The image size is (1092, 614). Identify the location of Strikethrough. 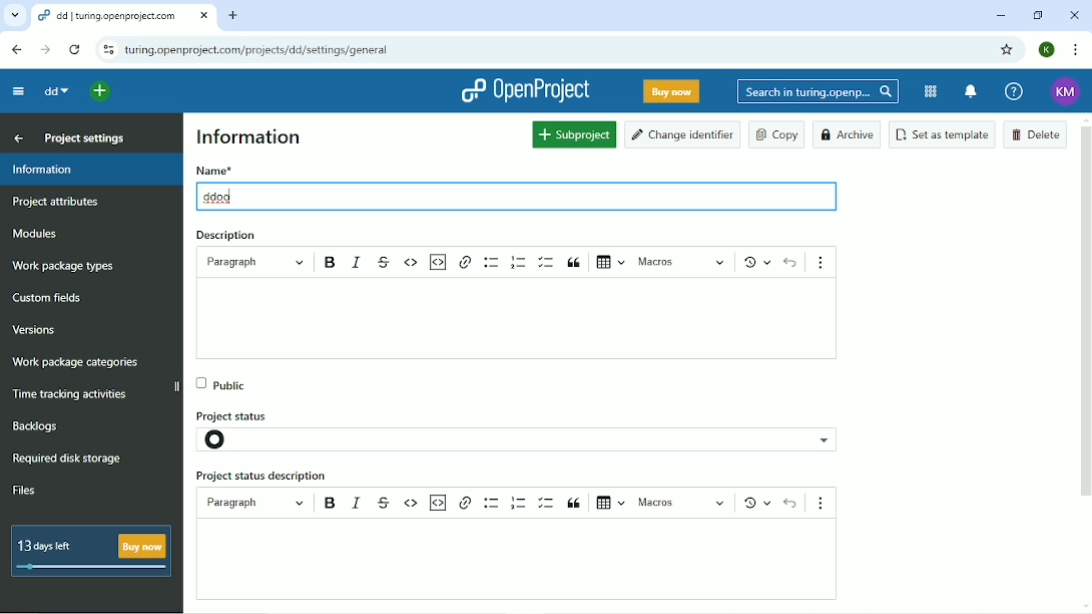
(383, 261).